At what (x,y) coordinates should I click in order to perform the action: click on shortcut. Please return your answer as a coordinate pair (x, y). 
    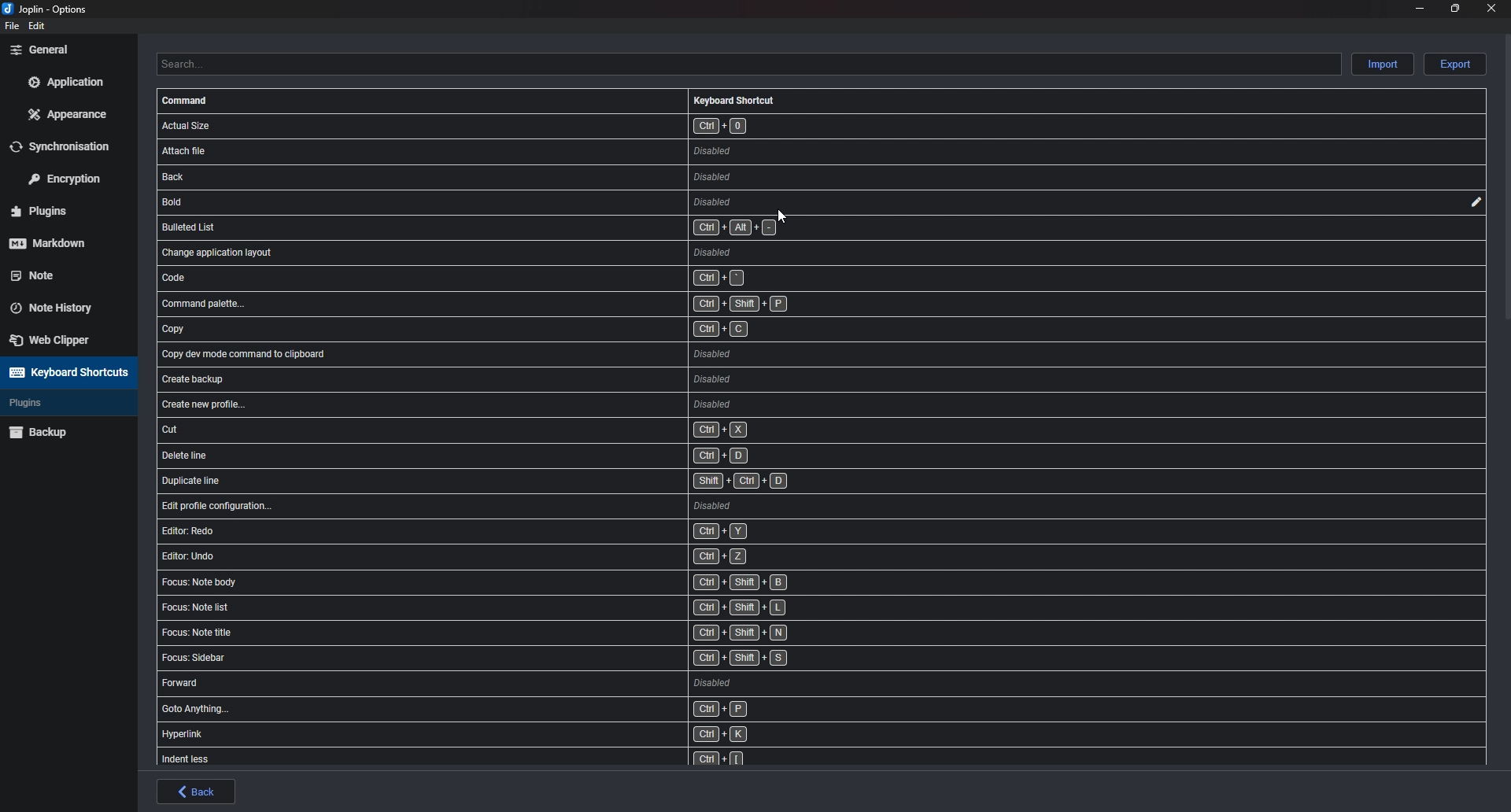
    Looking at the image, I should click on (529, 178).